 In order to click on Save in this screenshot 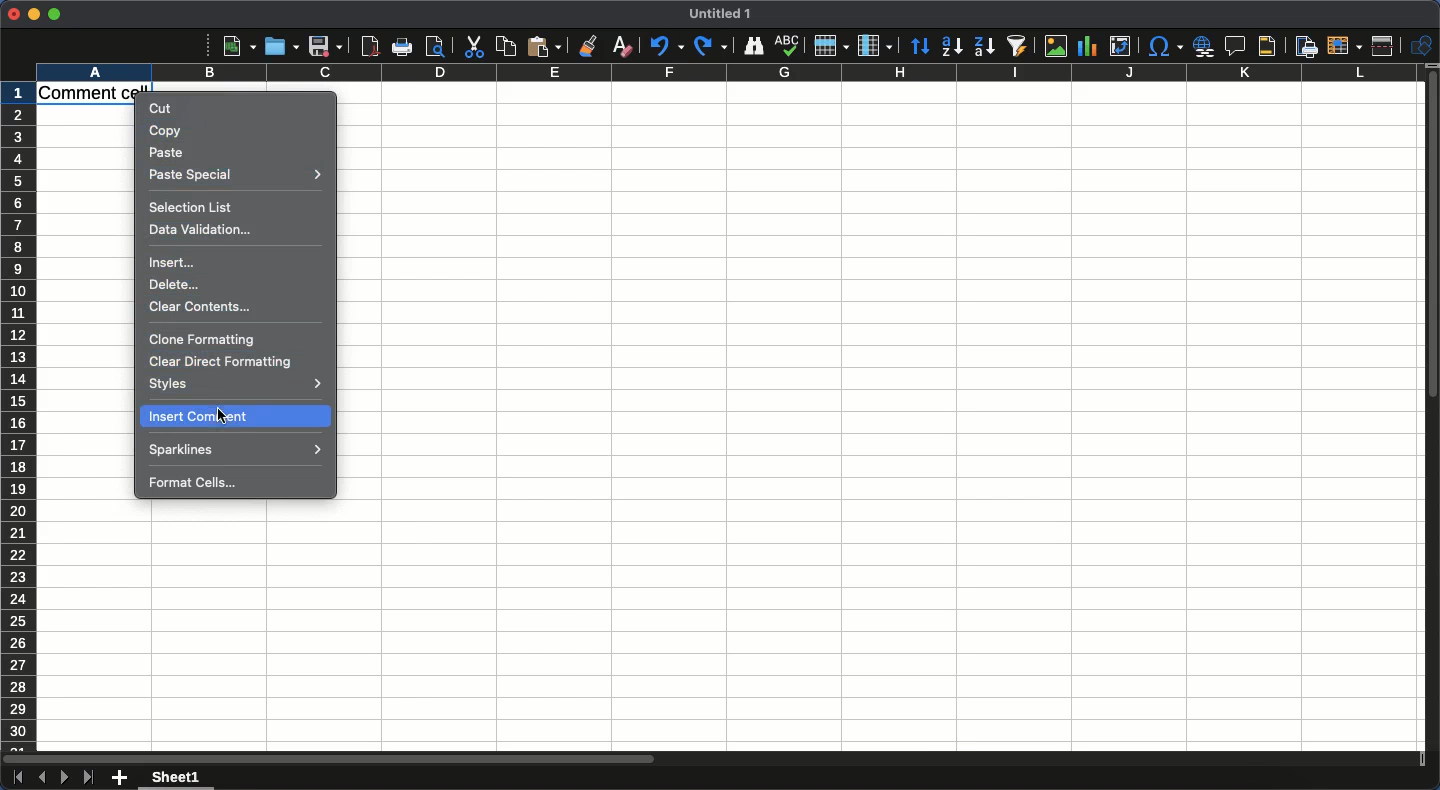, I will do `click(324, 46)`.